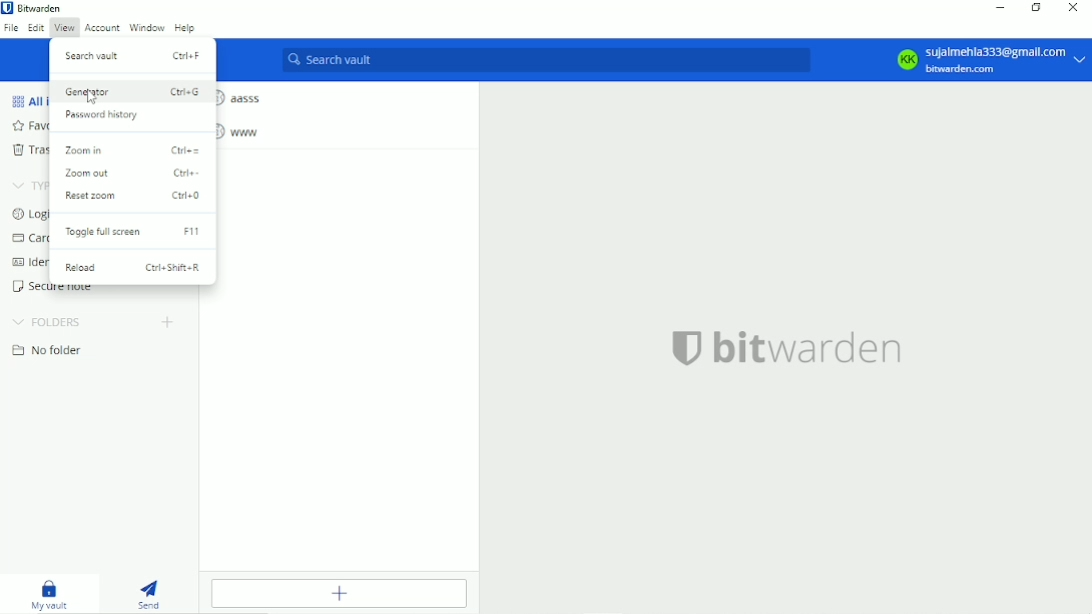 The image size is (1092, 614). Describe the element at coordinates (133, 92) in the screenshot. I see `Generator` at that location.